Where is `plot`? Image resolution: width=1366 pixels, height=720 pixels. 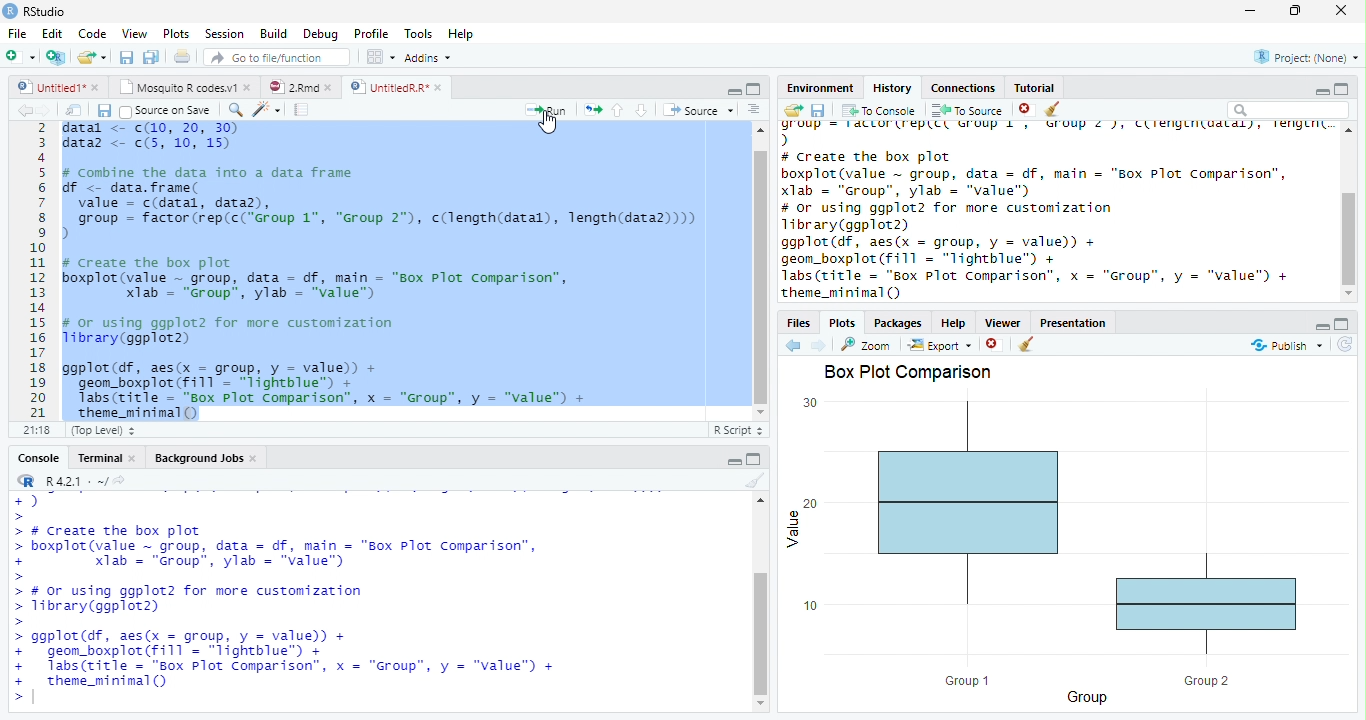 plot is located at coordinates (1066, 552).